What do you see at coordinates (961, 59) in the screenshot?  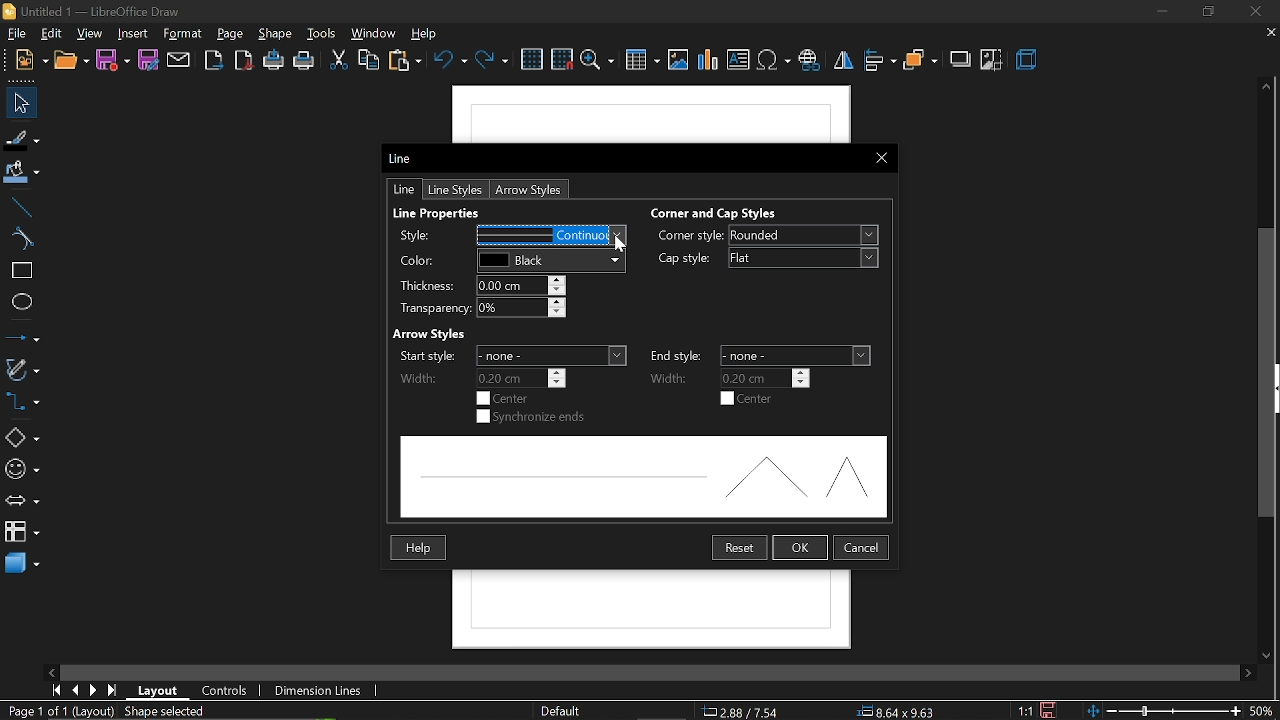 I see `shadow` at bounding box center [961, 59].